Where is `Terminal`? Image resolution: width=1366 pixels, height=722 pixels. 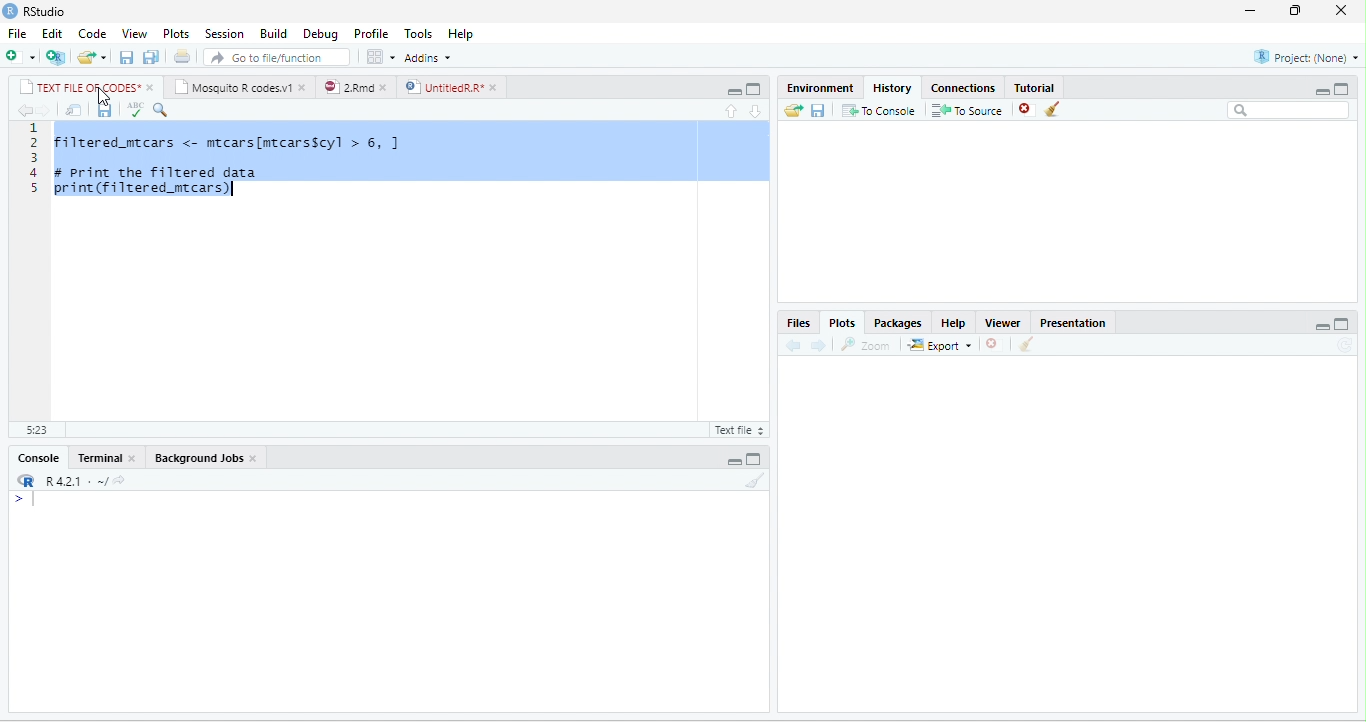 Terminal is located at coordinates (97, 457).